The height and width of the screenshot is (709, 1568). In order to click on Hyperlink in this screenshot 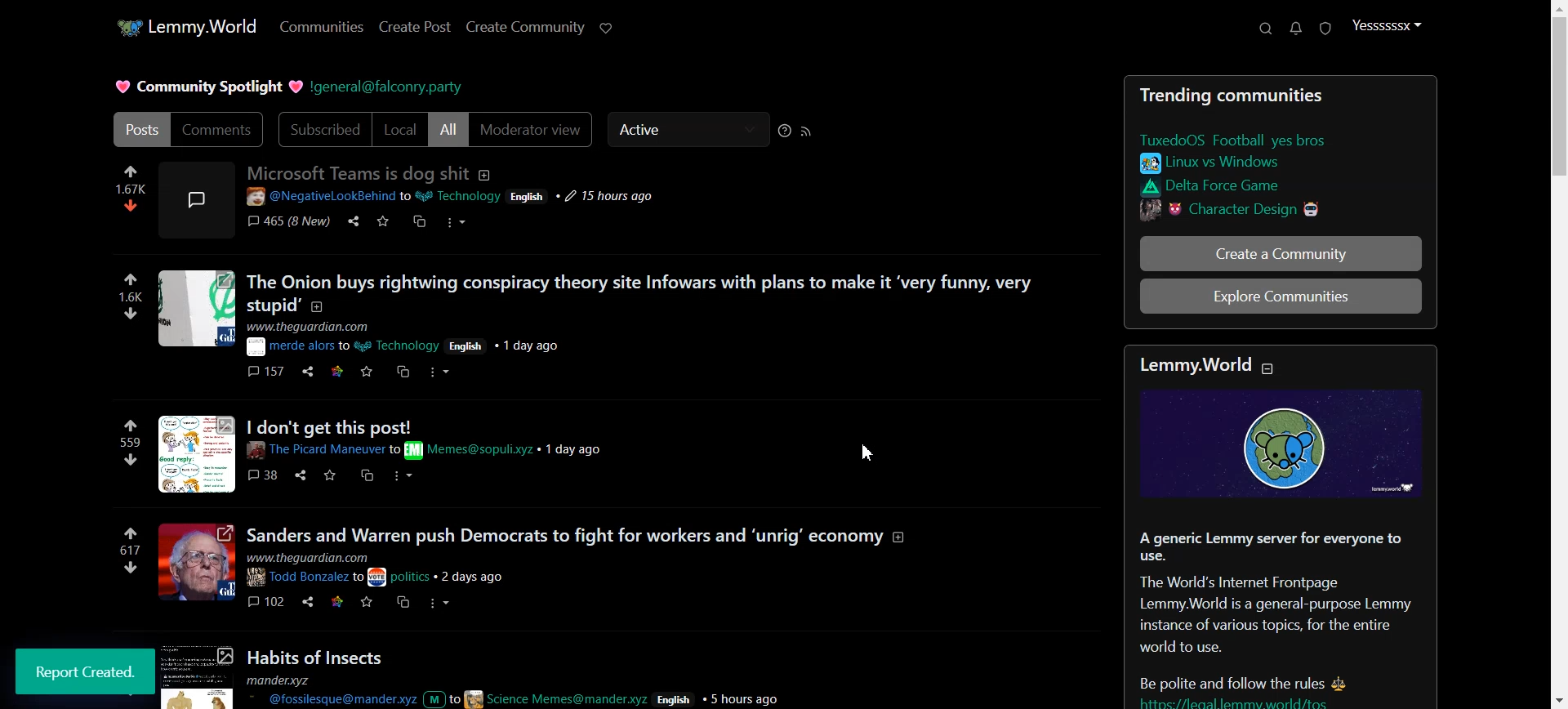, I will do `click(390, 87)`.